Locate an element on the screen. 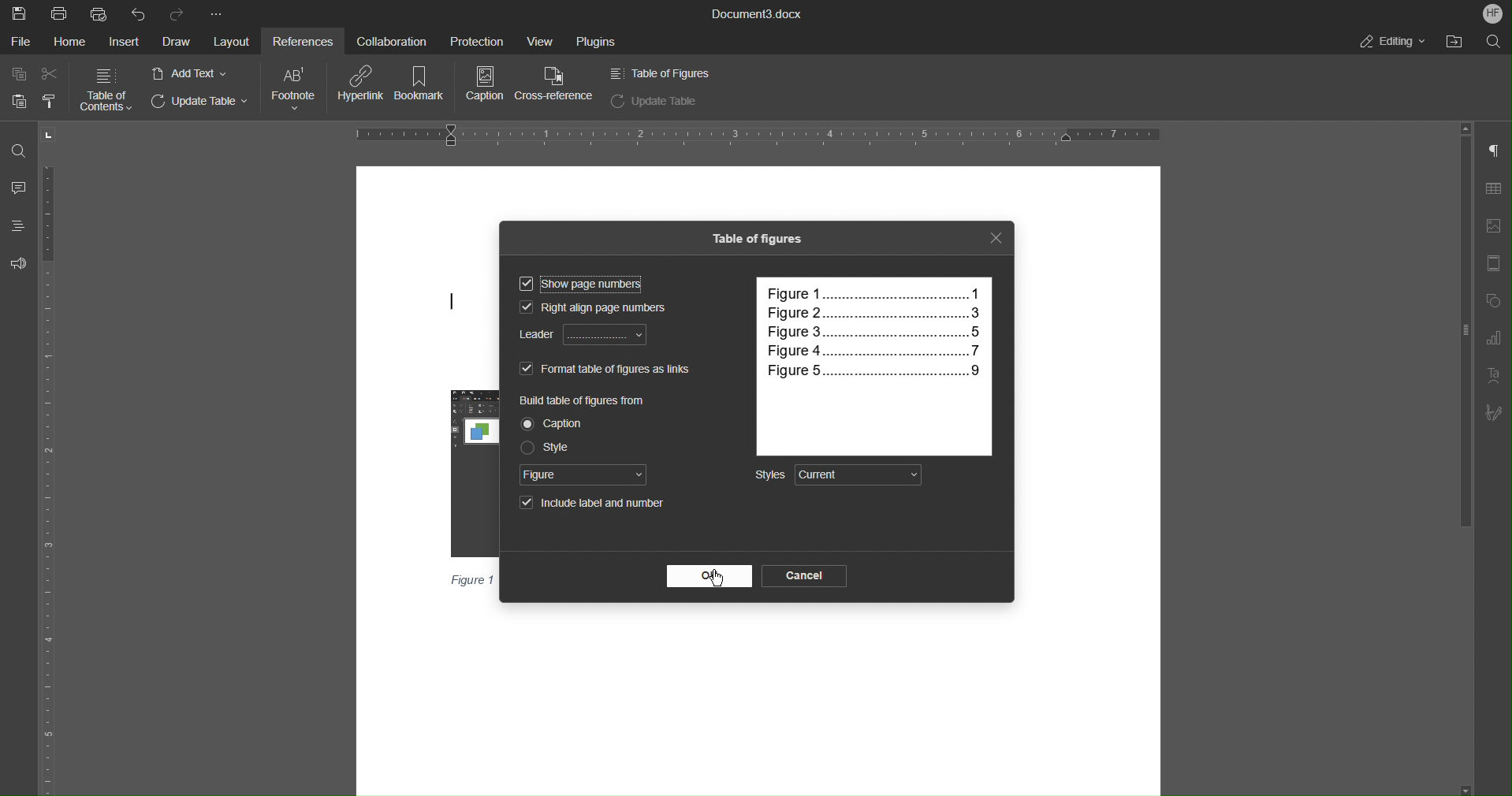 The height and width of the screenshot is (796, 1512). Feedback and Support is located at coordinates (17, 264).